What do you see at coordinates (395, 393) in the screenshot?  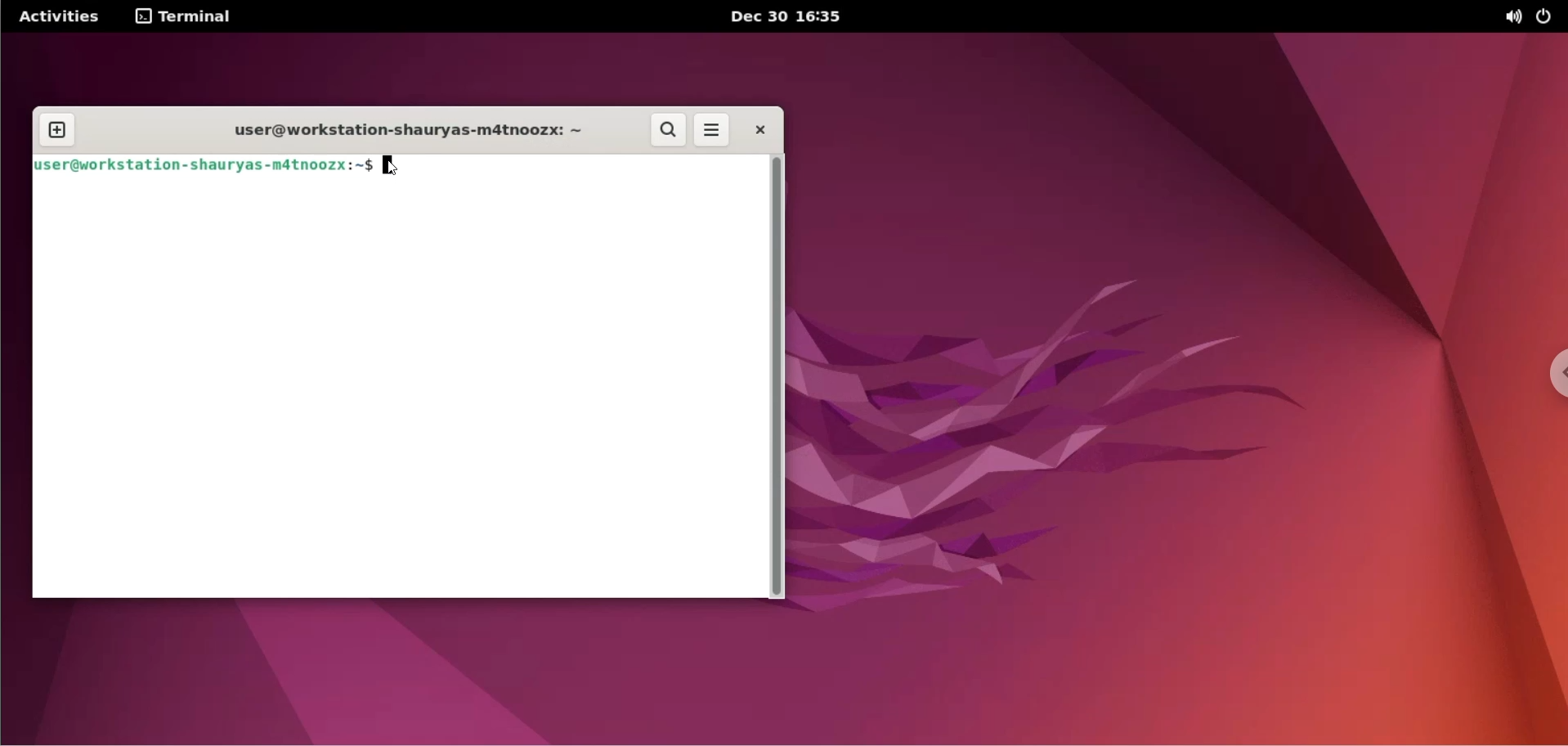 I see `command input box` at bounding box center [395, 393].